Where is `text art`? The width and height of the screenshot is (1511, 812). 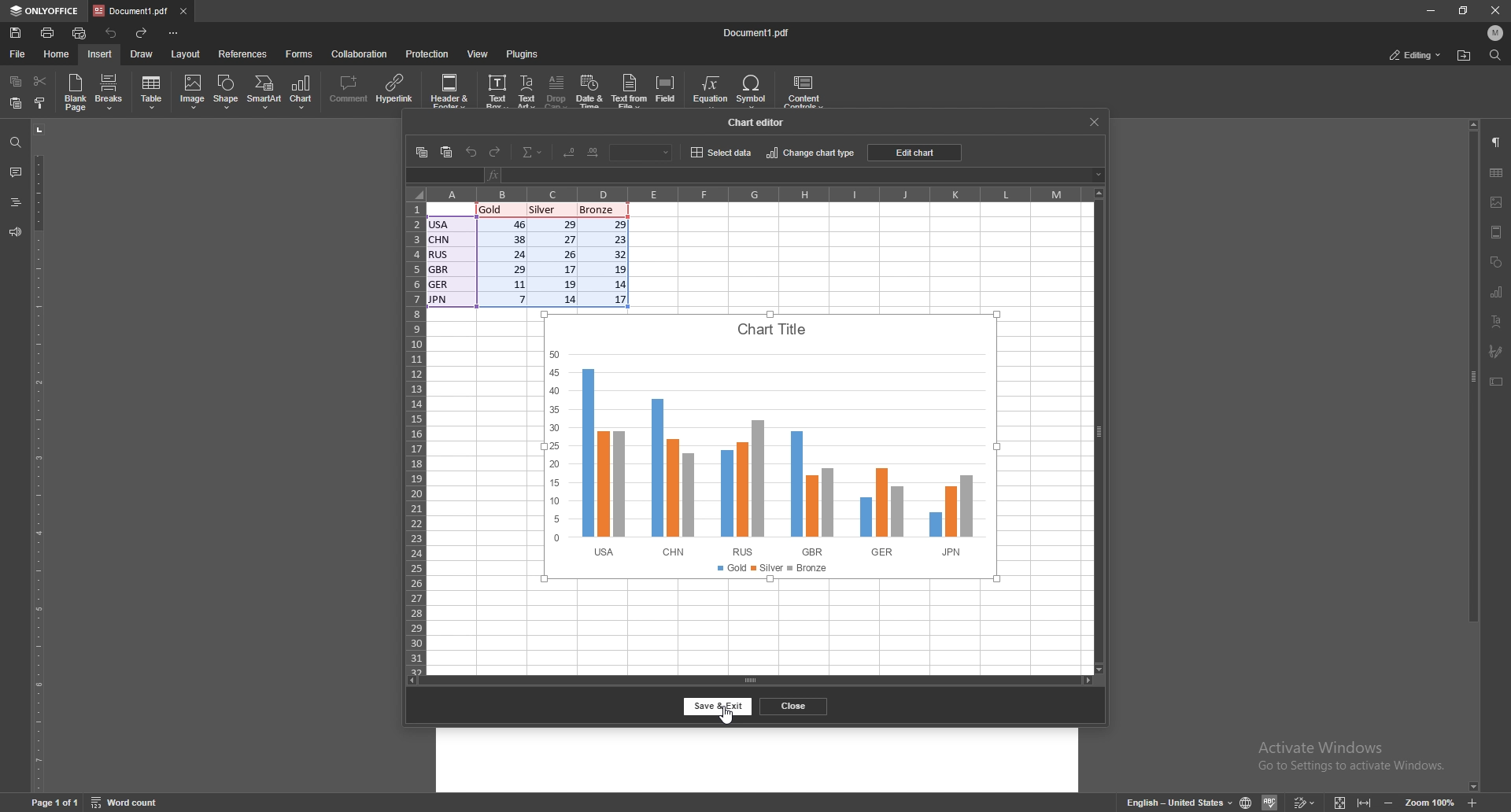
text art is located at coordinates (1497, 321).